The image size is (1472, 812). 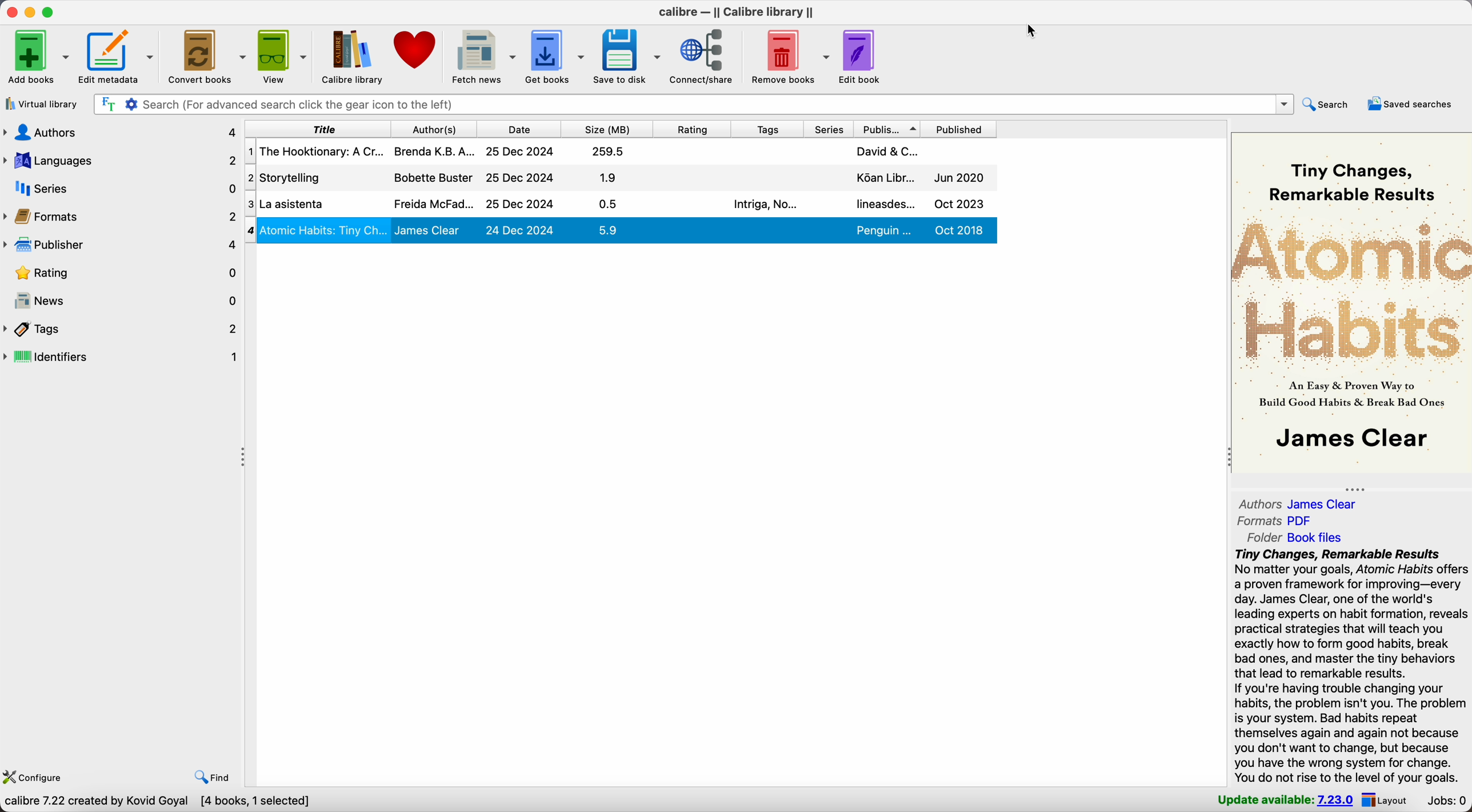 What do you see at coordinates (484, 56) in the screenshot?
I see `fetch news` at bounding box center [484, 56].